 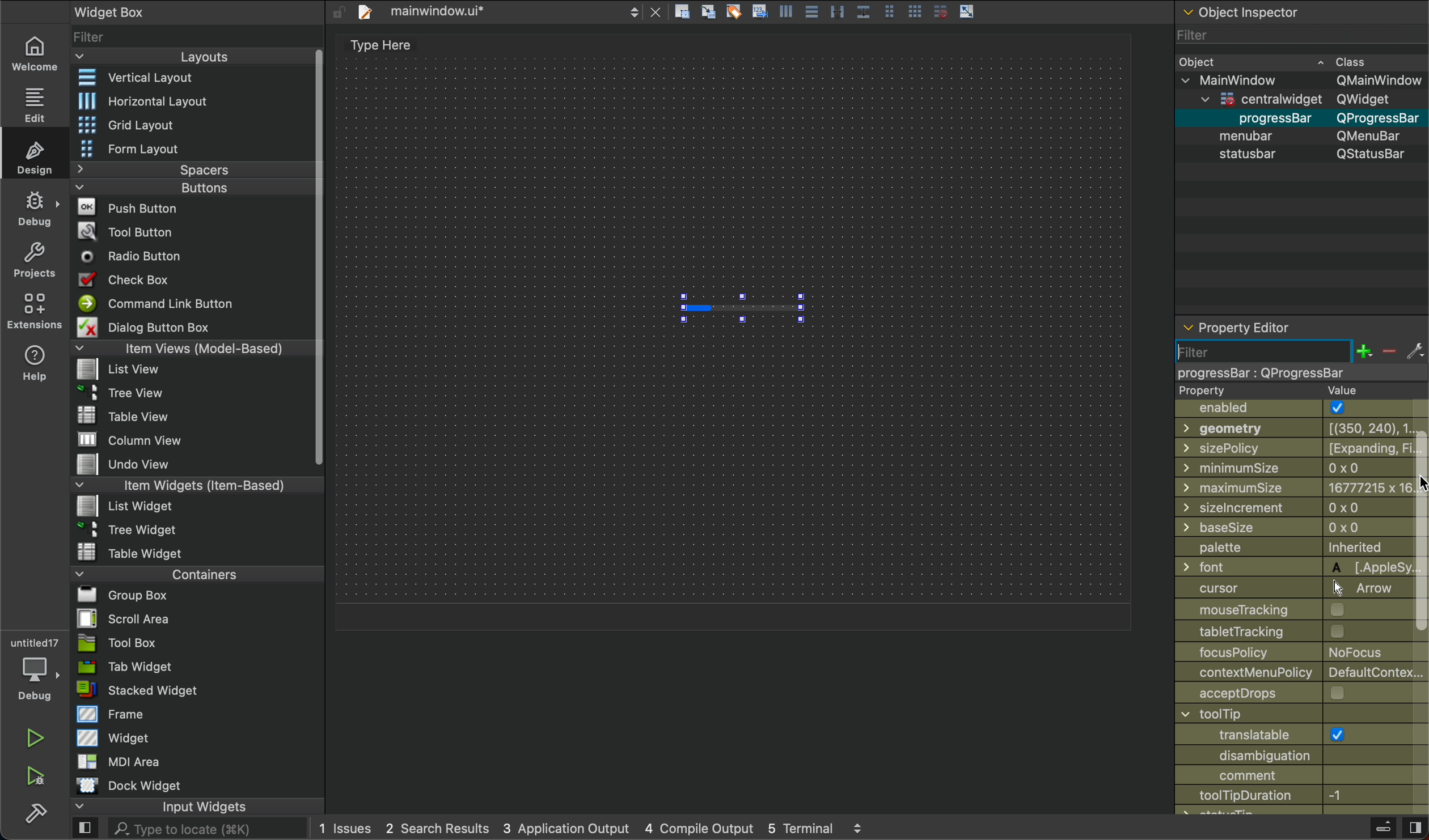 What do you see at coordinates (1420, 536) in the screenshot?
I see `Vertical Scrollbar` at bounding box center [1420, 536].